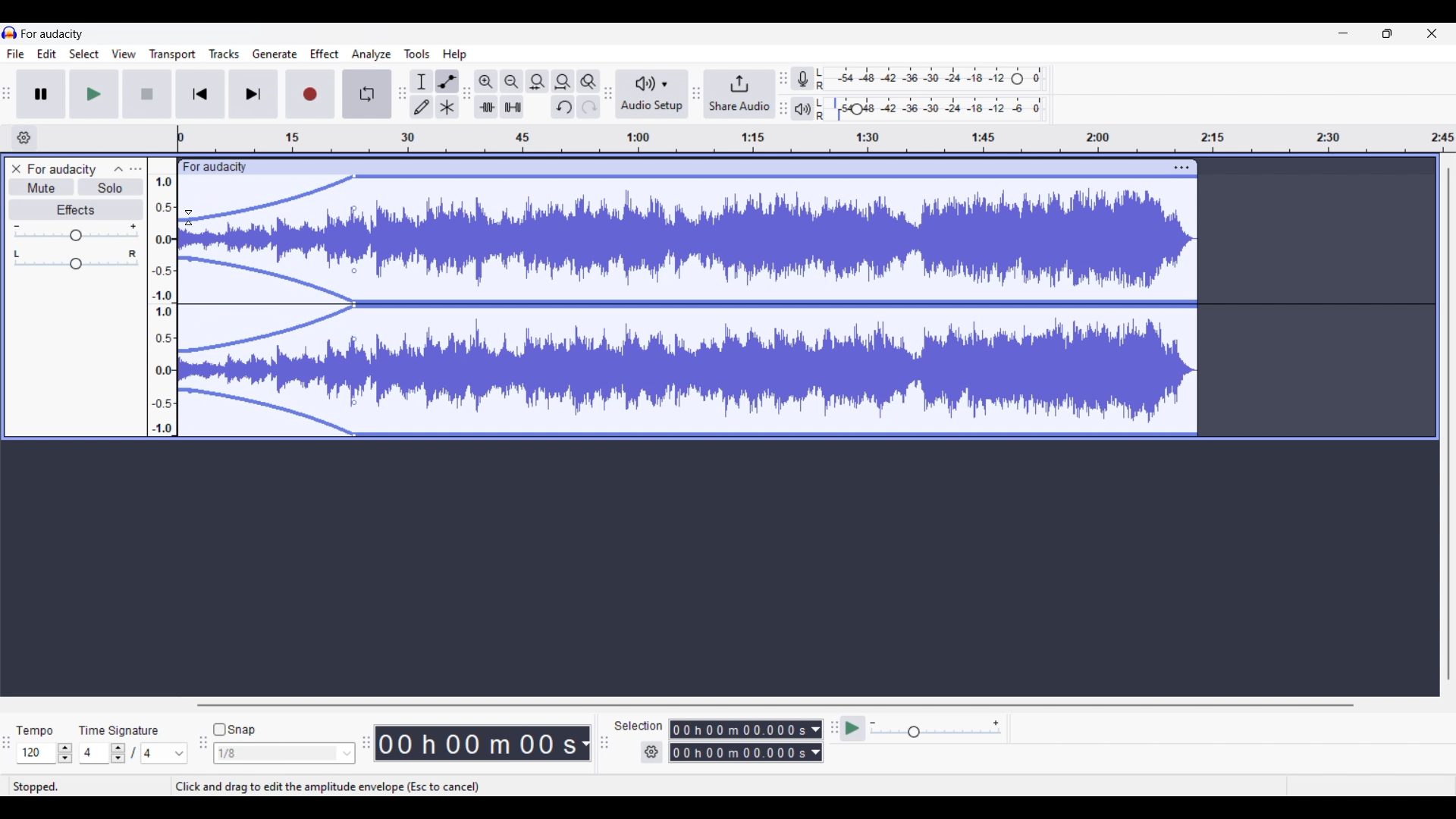  Describe the element at coordinates (328, 787) in the screenshot. I see `Click and drag to edit the amplitude envelope (Esc to cancel)` at that location.